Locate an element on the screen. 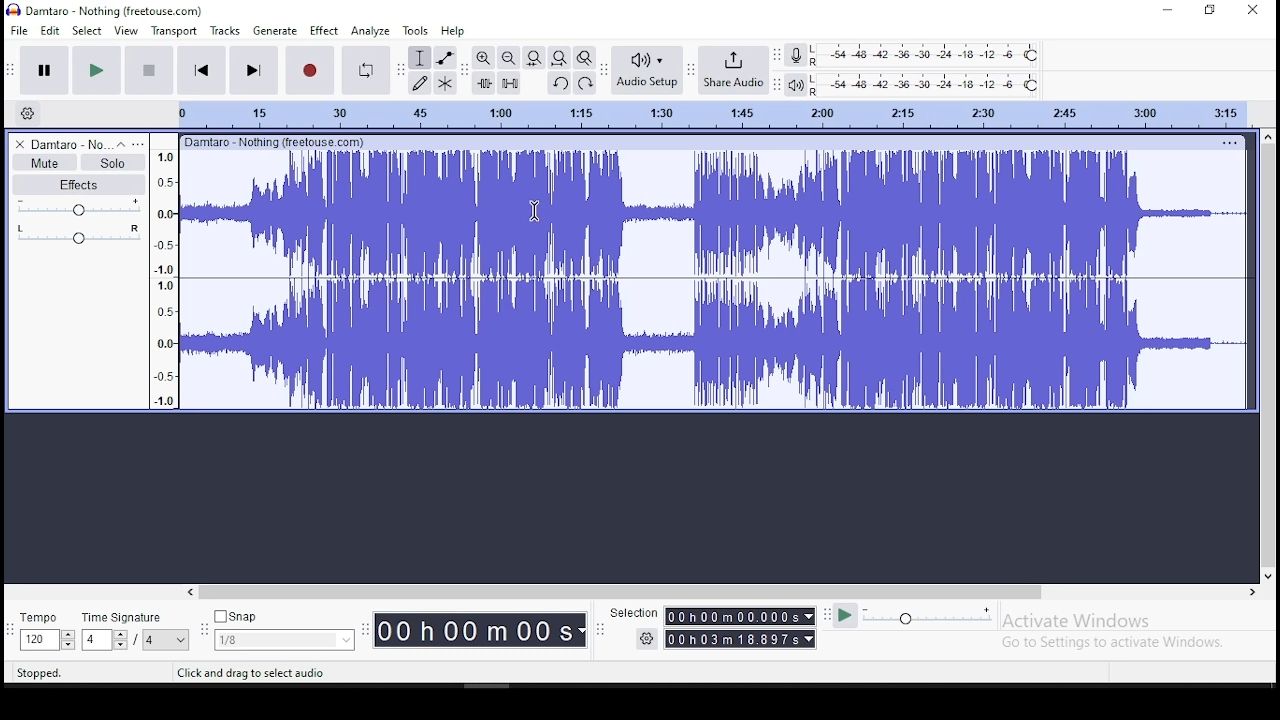 Image resolution: width=1280 pixels, height=720 pixels. zoom in is located at coordinates (482, 58).